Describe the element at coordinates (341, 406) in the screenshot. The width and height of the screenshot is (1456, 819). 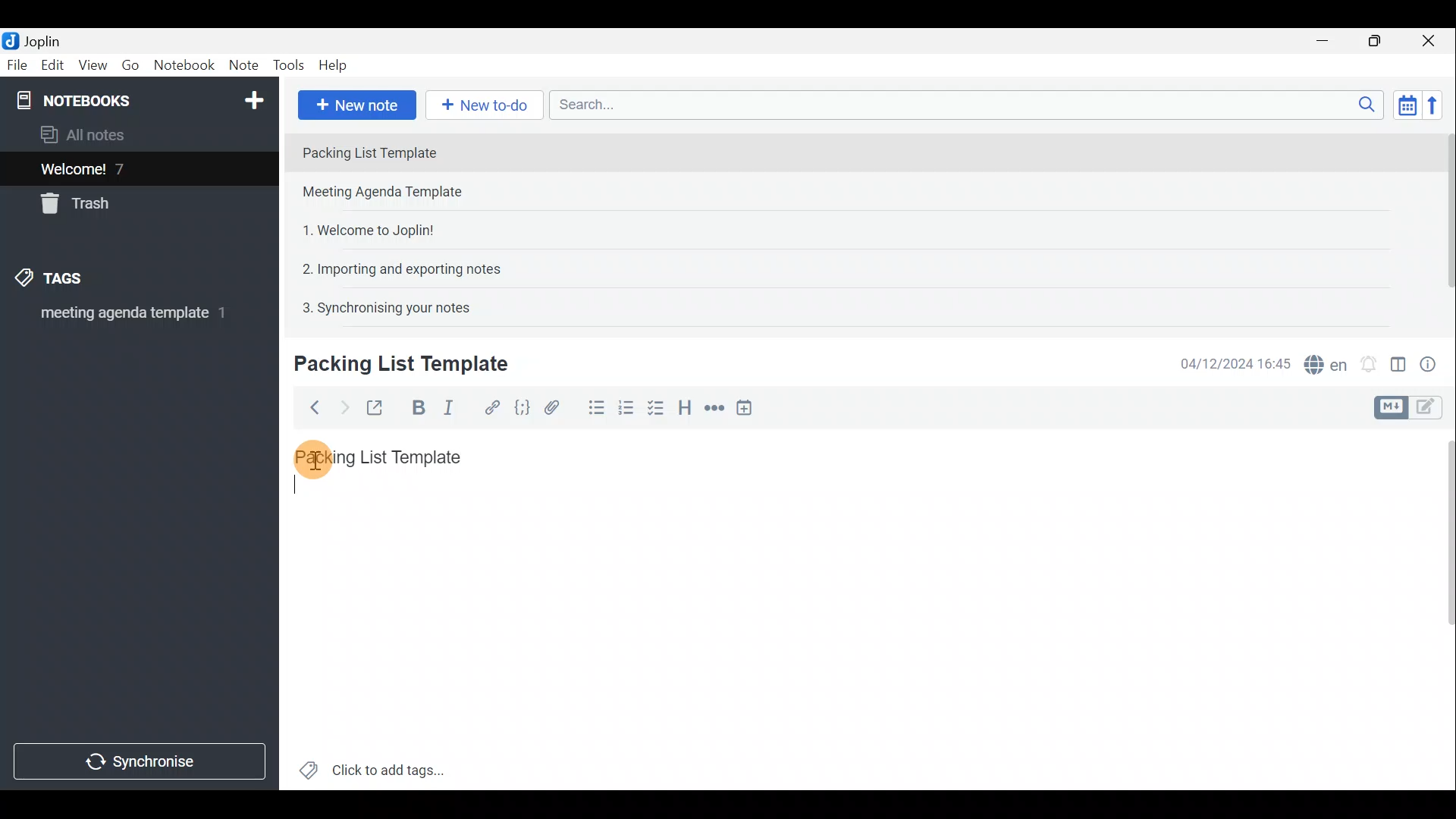
I see `Forward` at that location.